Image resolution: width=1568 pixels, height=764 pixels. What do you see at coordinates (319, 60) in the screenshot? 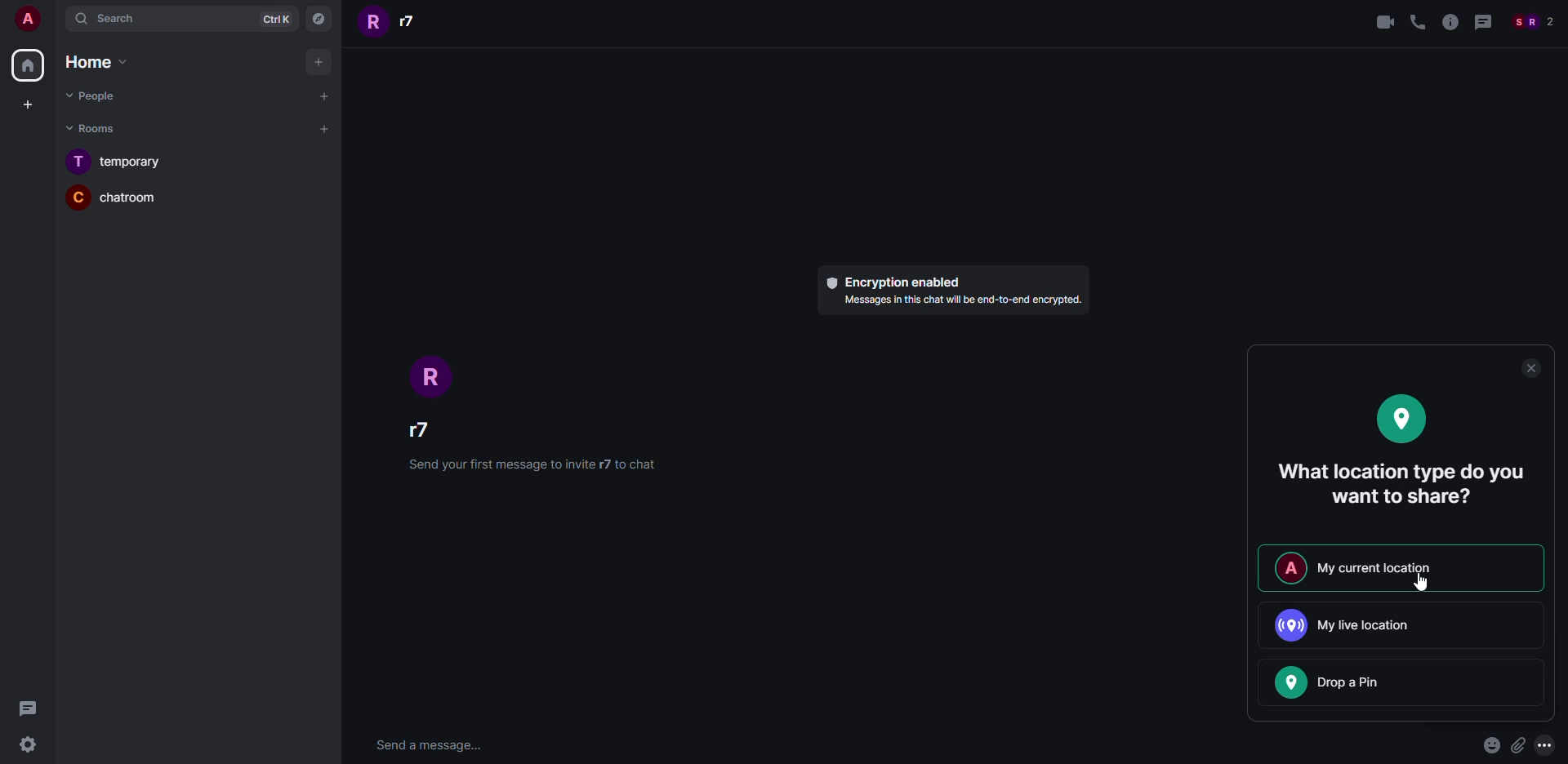
I see `Add` at bounding box center [319, 60].